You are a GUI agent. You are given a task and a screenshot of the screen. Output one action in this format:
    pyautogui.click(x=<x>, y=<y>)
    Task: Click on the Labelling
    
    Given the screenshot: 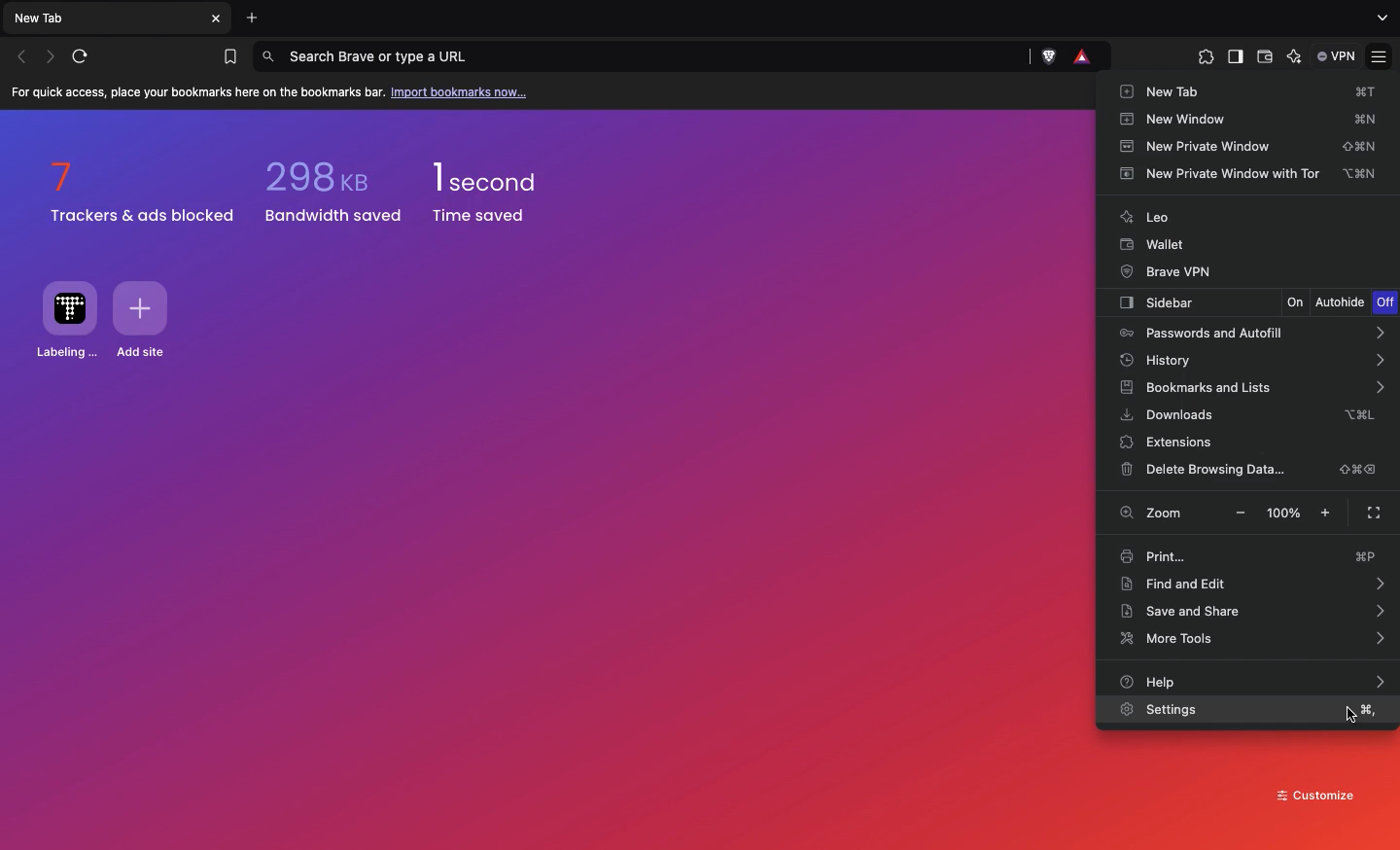 What is the action you would take?
    pyautogui.click(x=68, y=322)
    